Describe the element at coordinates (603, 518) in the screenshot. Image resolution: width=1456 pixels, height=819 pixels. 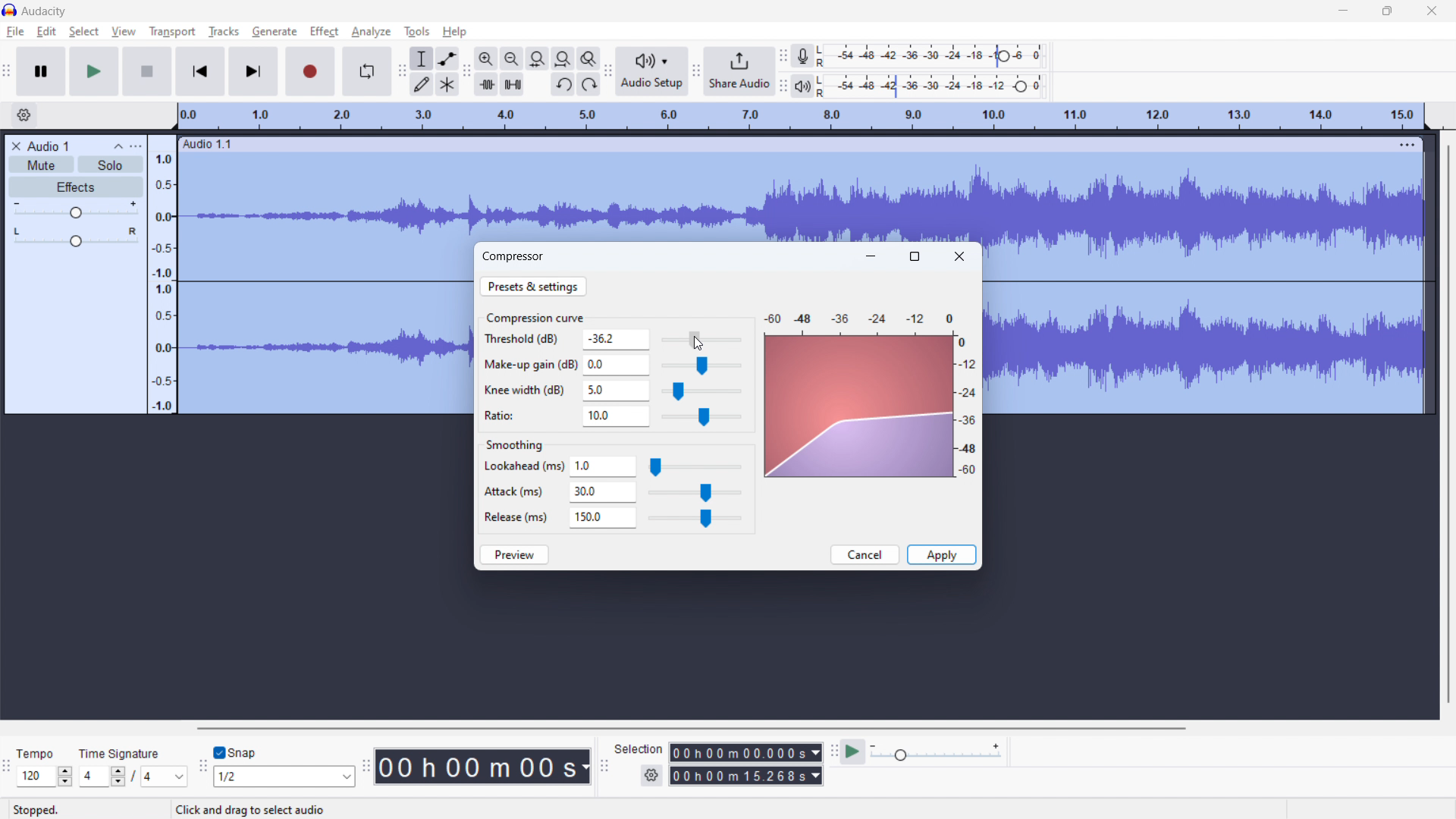
I see `150.0` at that location.